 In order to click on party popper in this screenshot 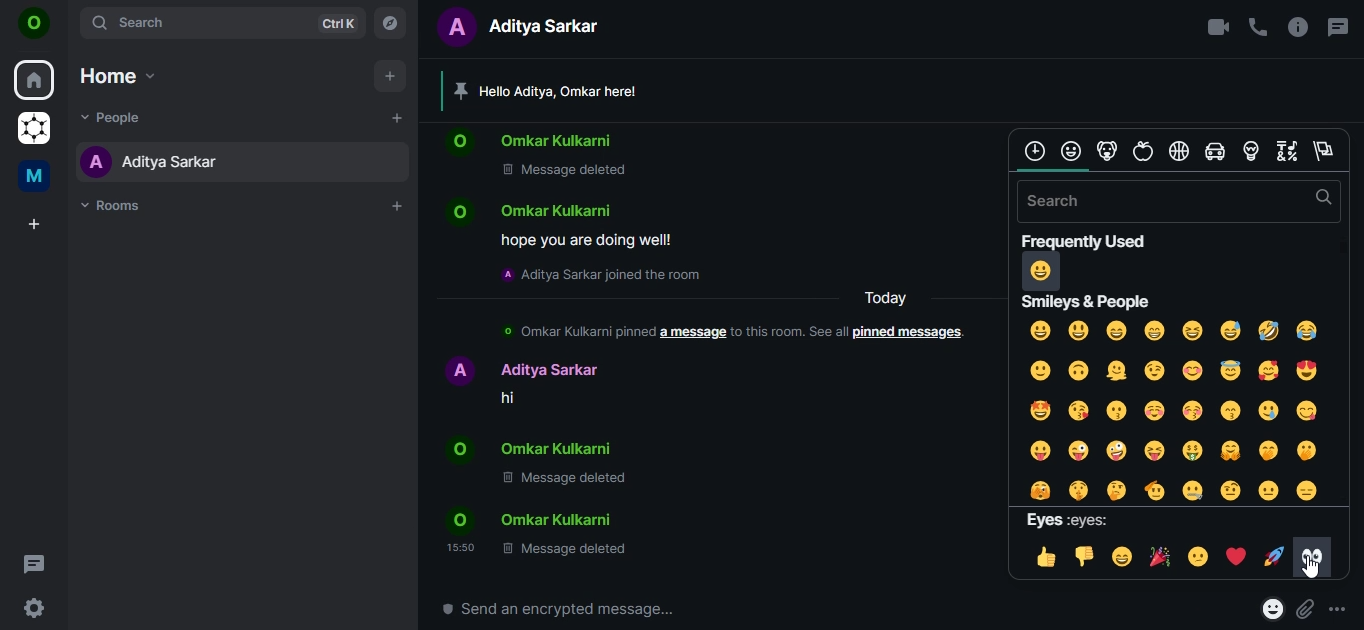, I will do `click(1159, 559)`.